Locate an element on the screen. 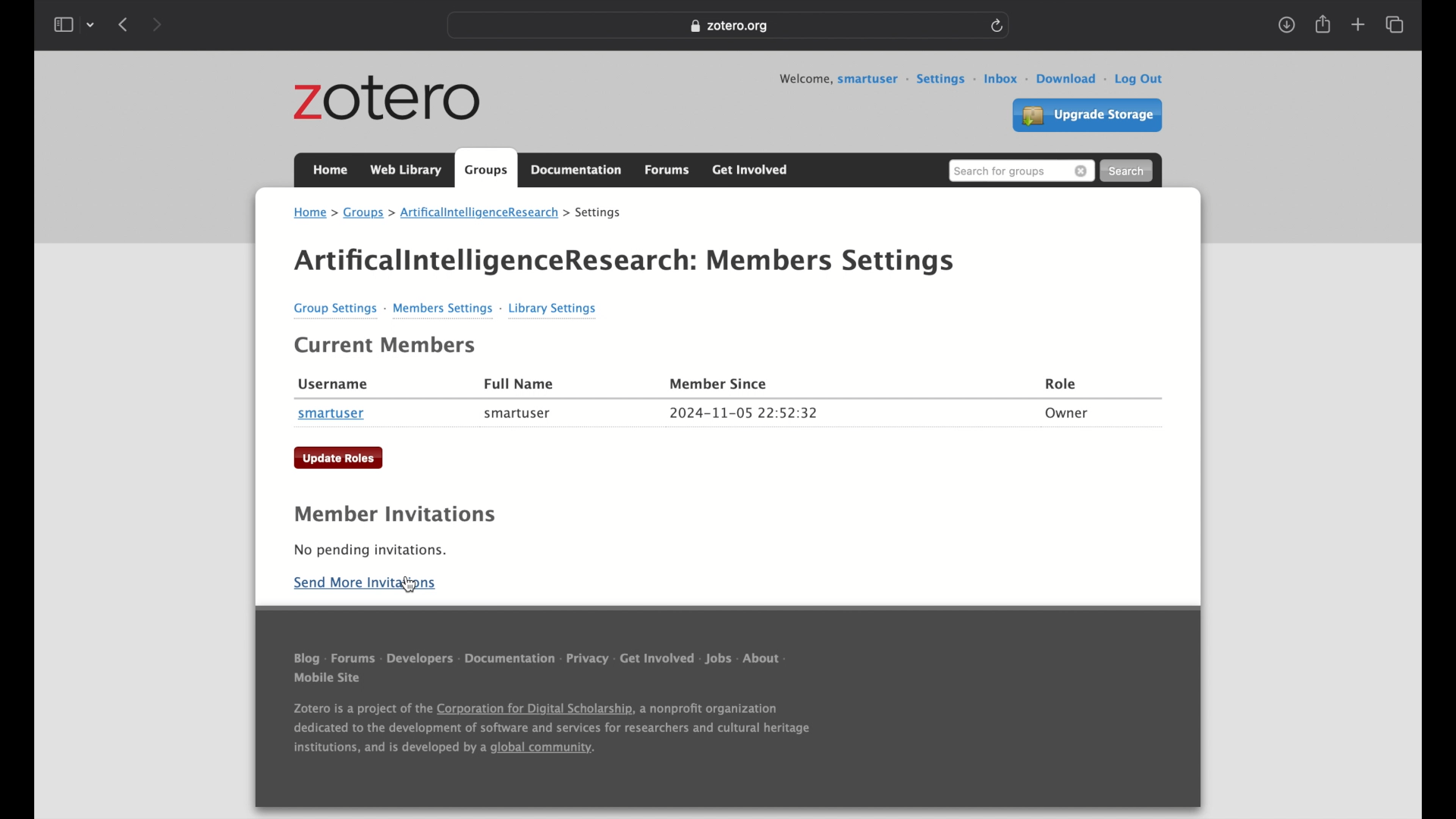  settings is located at coordinates (946, 80).